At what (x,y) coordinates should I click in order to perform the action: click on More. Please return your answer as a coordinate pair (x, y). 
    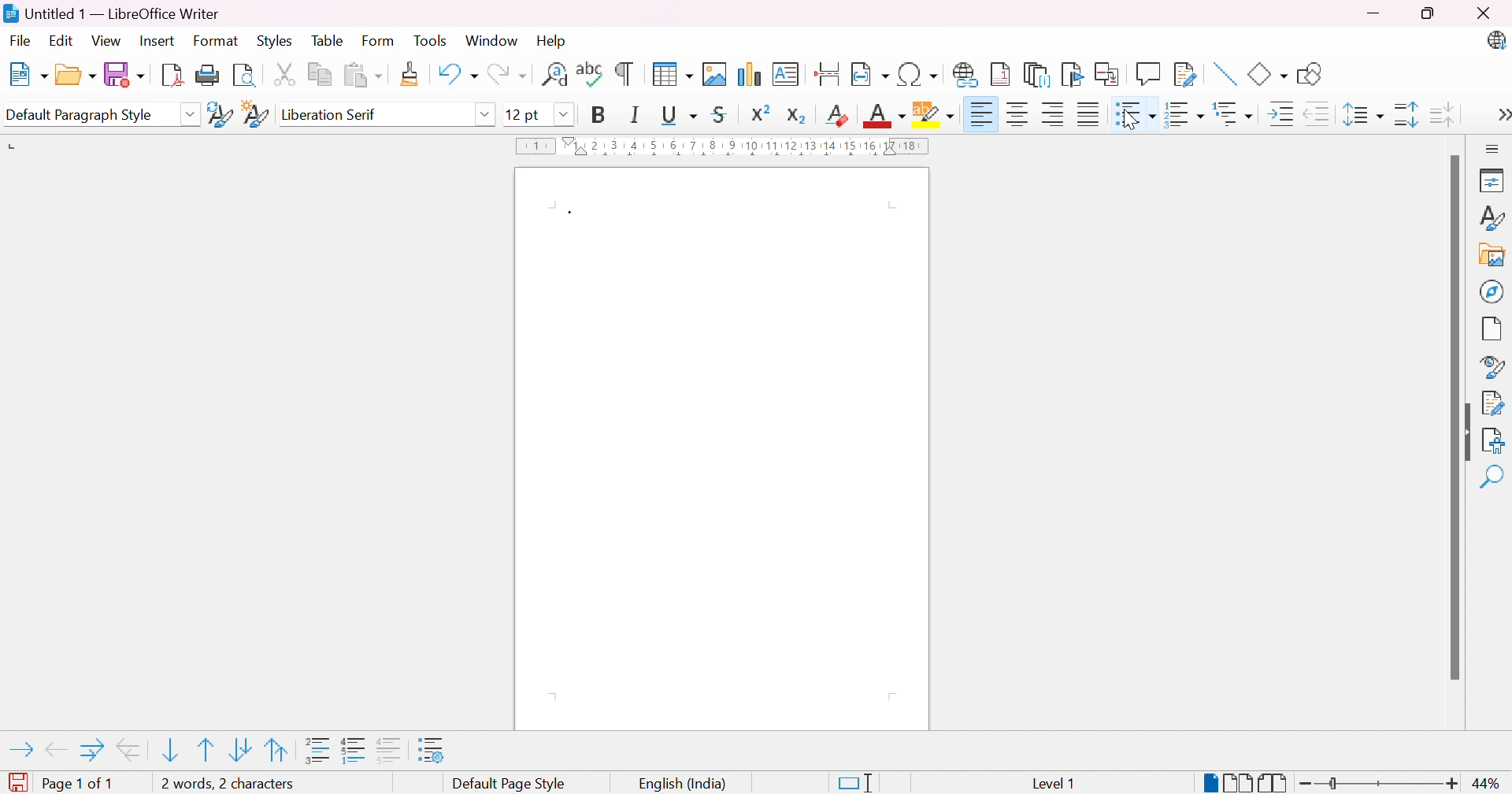
    Looking at the image, I should click on (1503, 117).